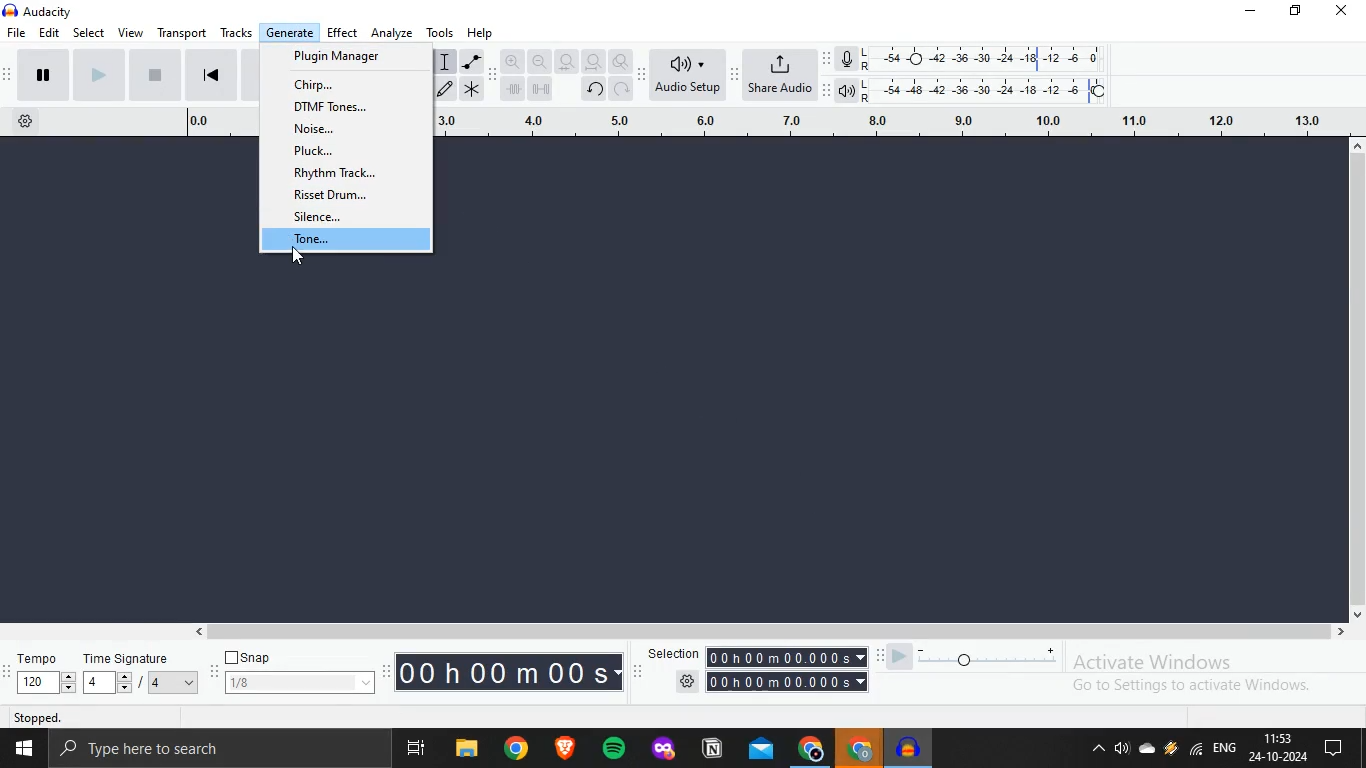 The width and height of the screenshot is (1366, 768). Describe the element at coordinates (345, 31) in the screenshot. I see `Effect` at that location.